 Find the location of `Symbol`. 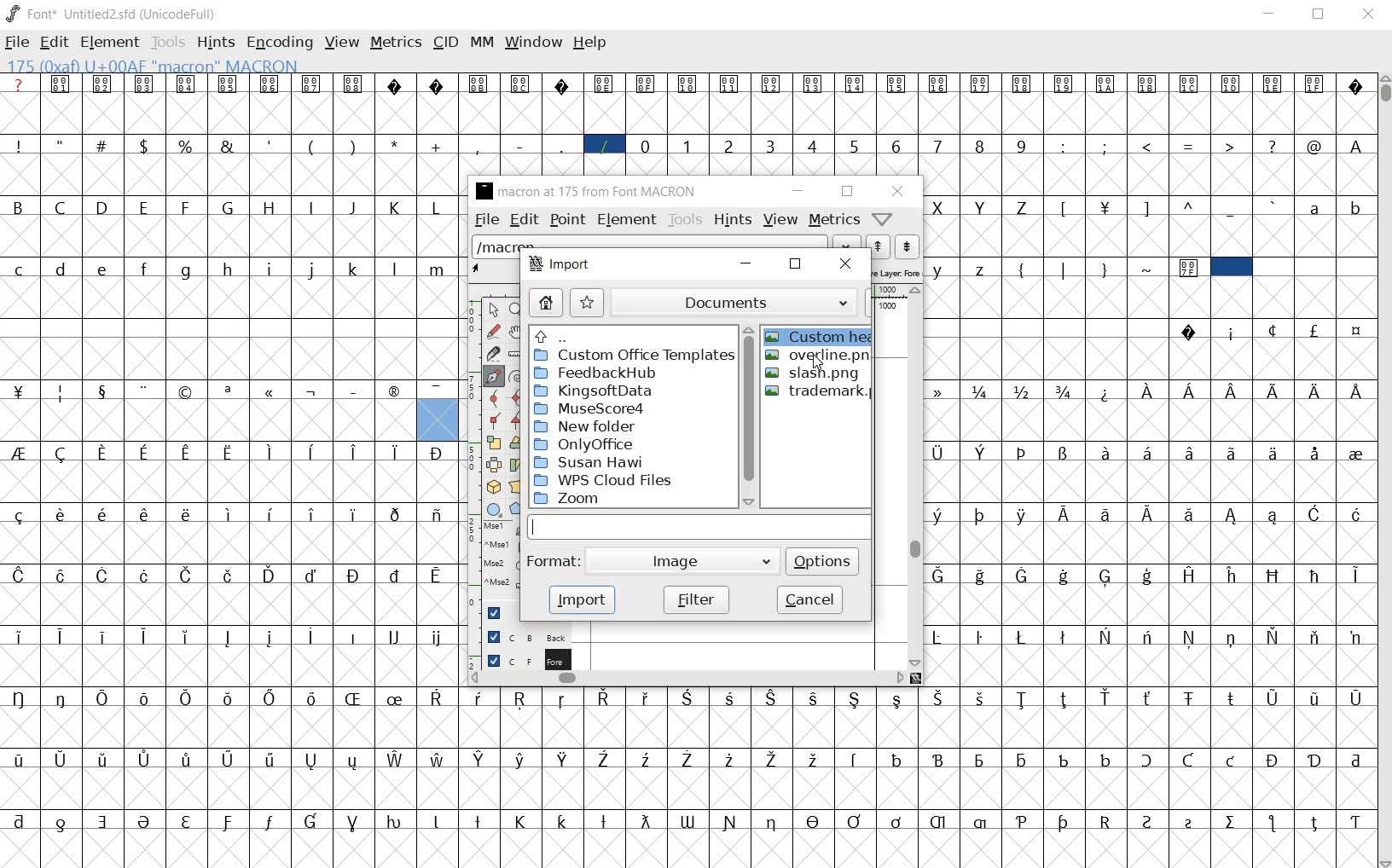

Symbol is located at coordinates (19, 516).